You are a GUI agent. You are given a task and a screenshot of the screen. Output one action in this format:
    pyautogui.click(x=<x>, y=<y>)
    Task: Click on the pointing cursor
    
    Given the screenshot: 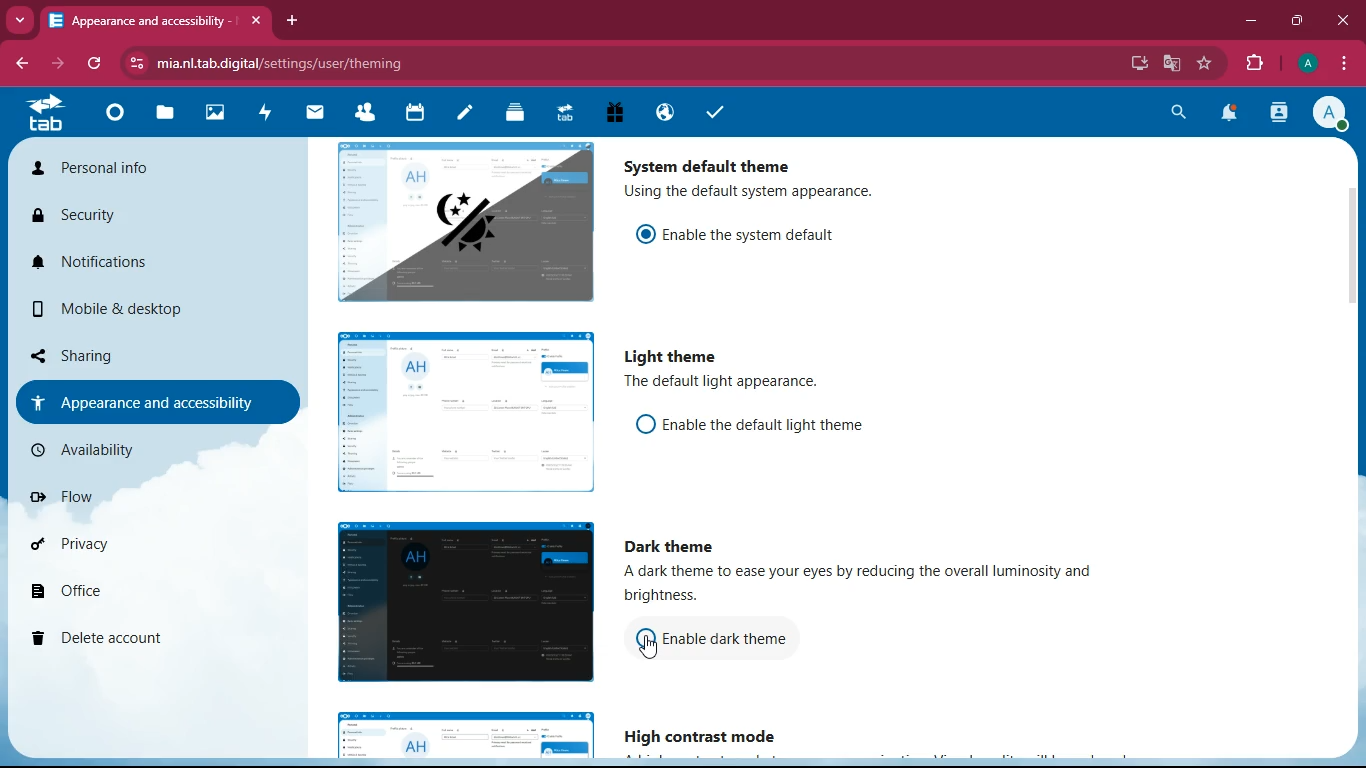 What is the action you would take?
    pyautogui.click(x=653, y=648)
    